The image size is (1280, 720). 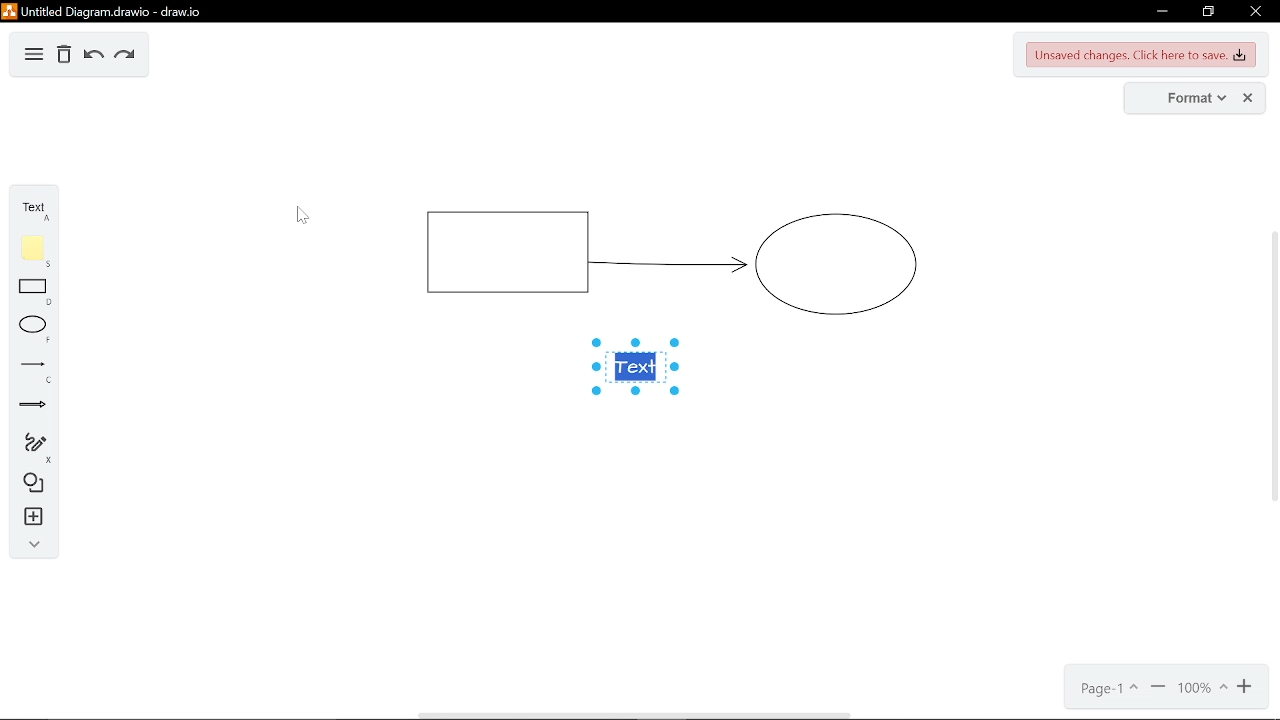 I want to click on lines, so click(x=34, y=371).